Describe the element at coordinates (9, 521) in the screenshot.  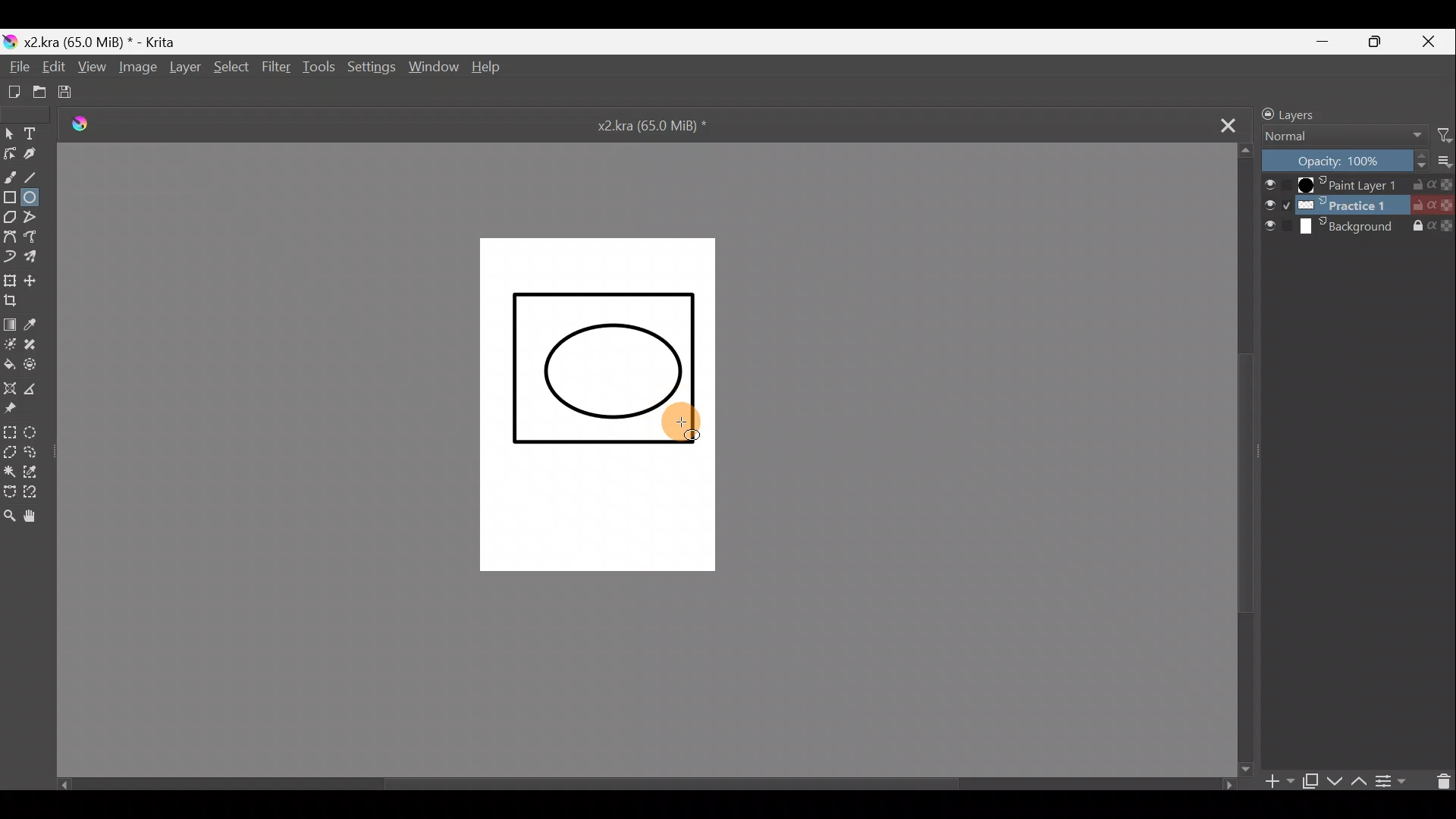
I see `Zoom tool` at that location.